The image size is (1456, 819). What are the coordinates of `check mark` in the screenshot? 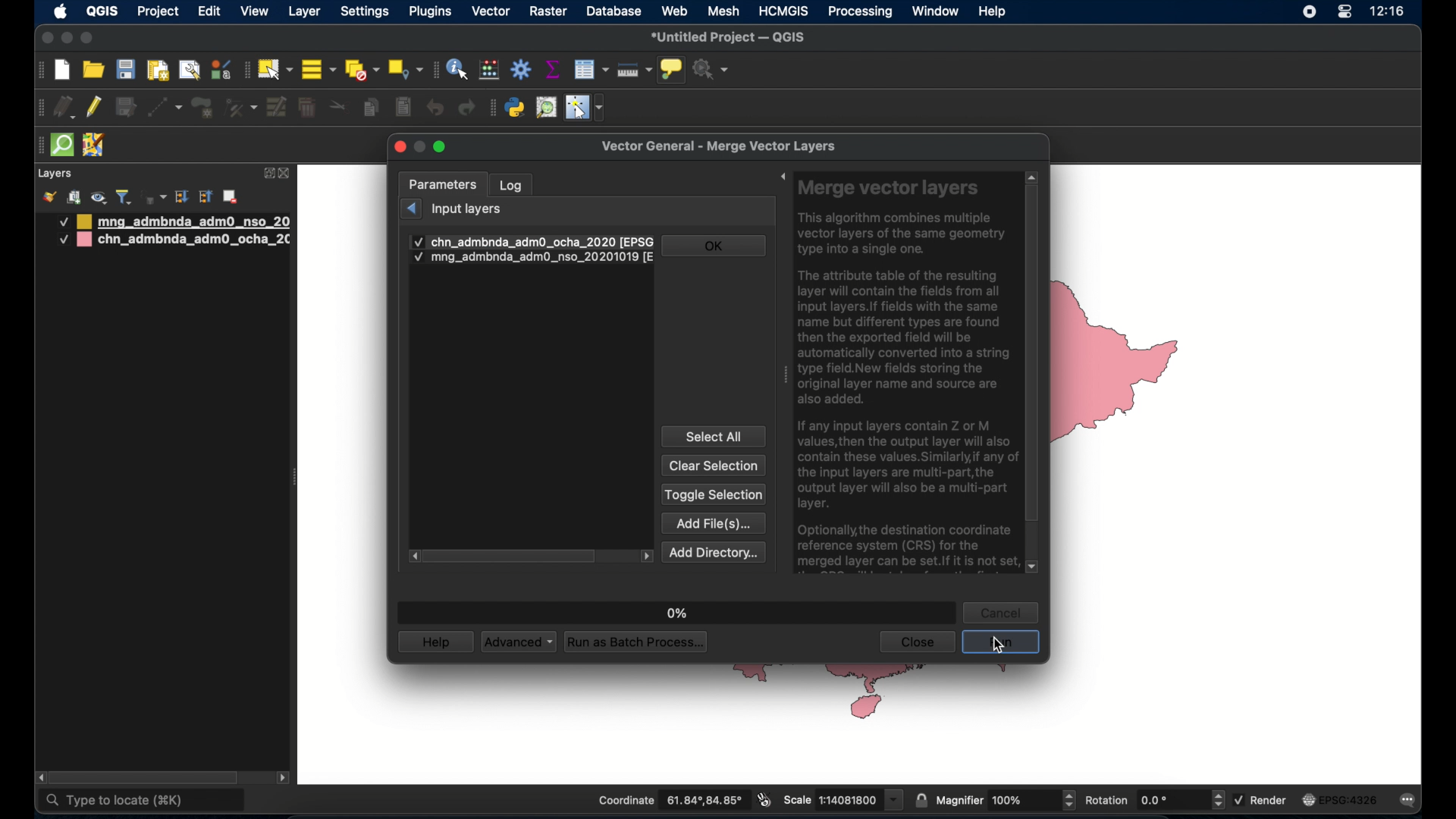 It's located at (532, 240).